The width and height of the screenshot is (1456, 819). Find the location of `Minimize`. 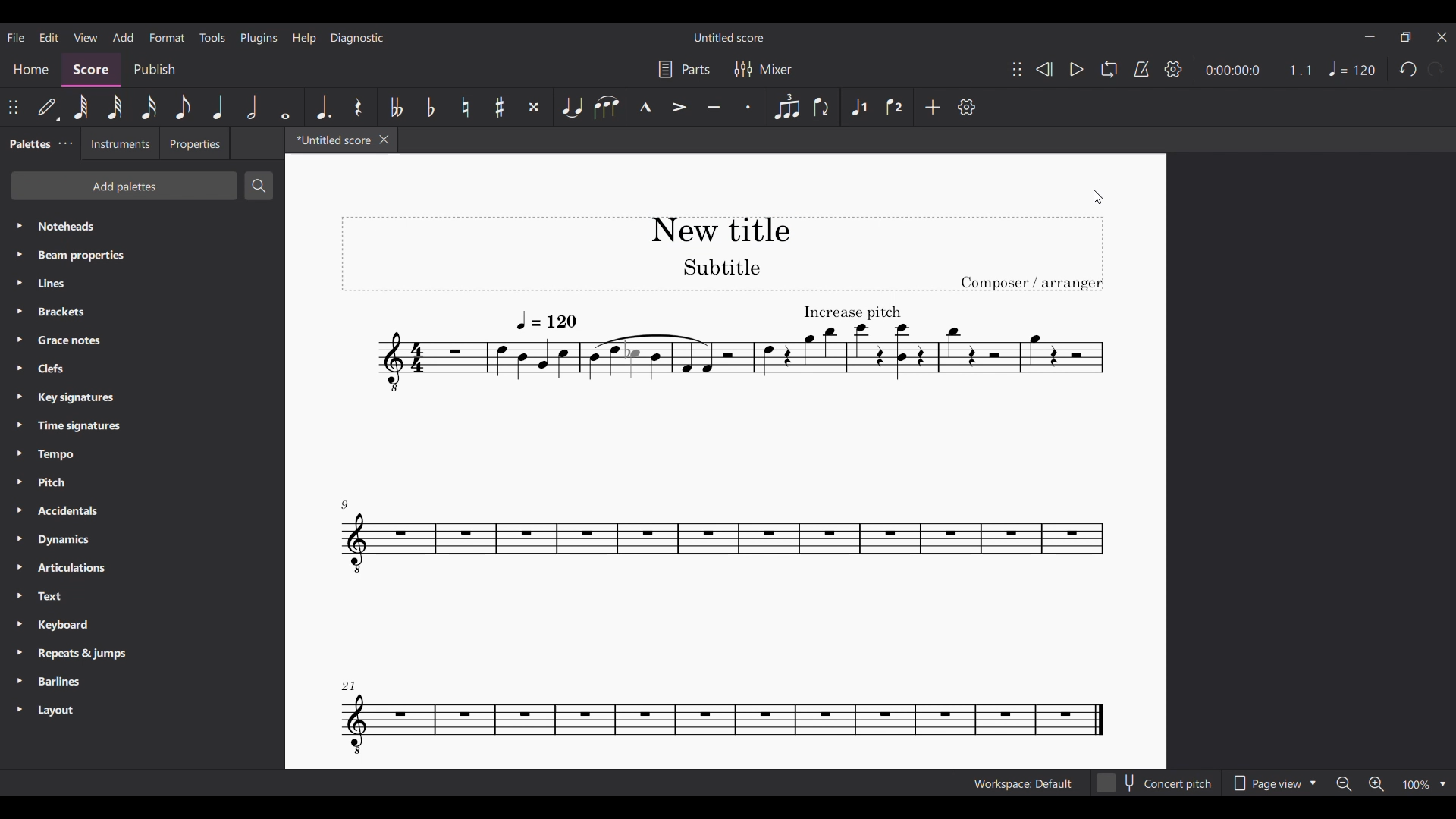

Minimize is located at coordinates (1370, 36).